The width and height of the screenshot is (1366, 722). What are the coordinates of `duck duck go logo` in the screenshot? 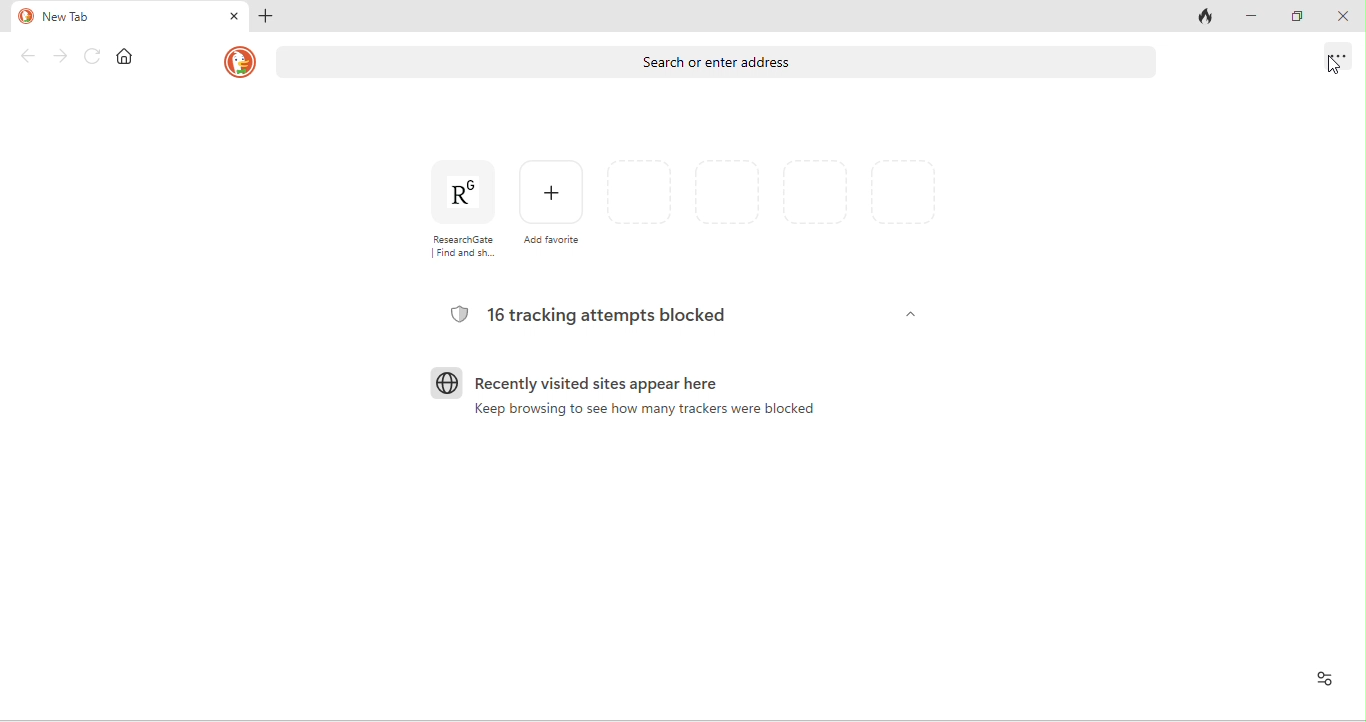 It's located at (239, 62).